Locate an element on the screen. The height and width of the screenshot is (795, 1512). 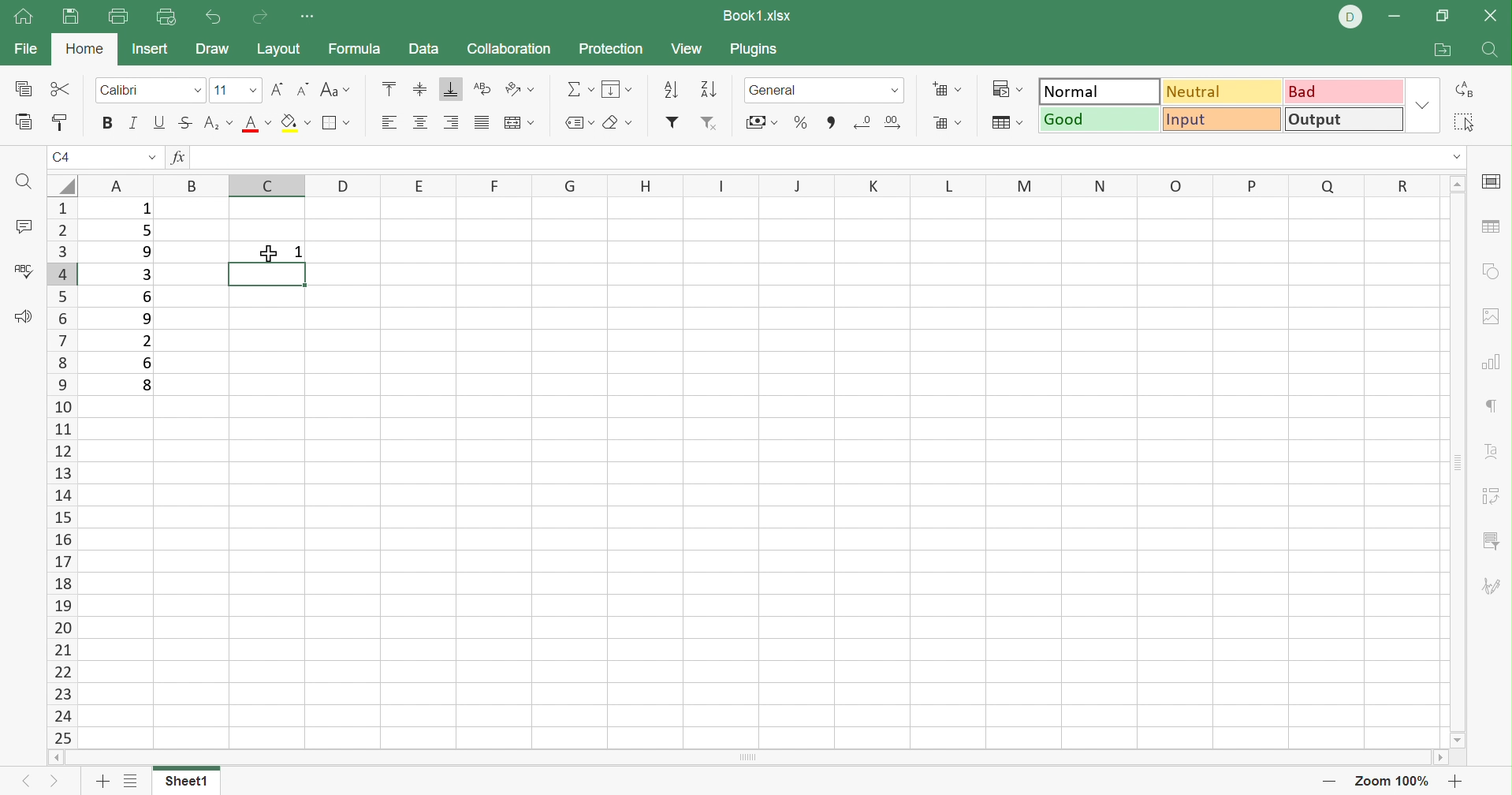
Zoom out is located at coordinates (1458, 780).